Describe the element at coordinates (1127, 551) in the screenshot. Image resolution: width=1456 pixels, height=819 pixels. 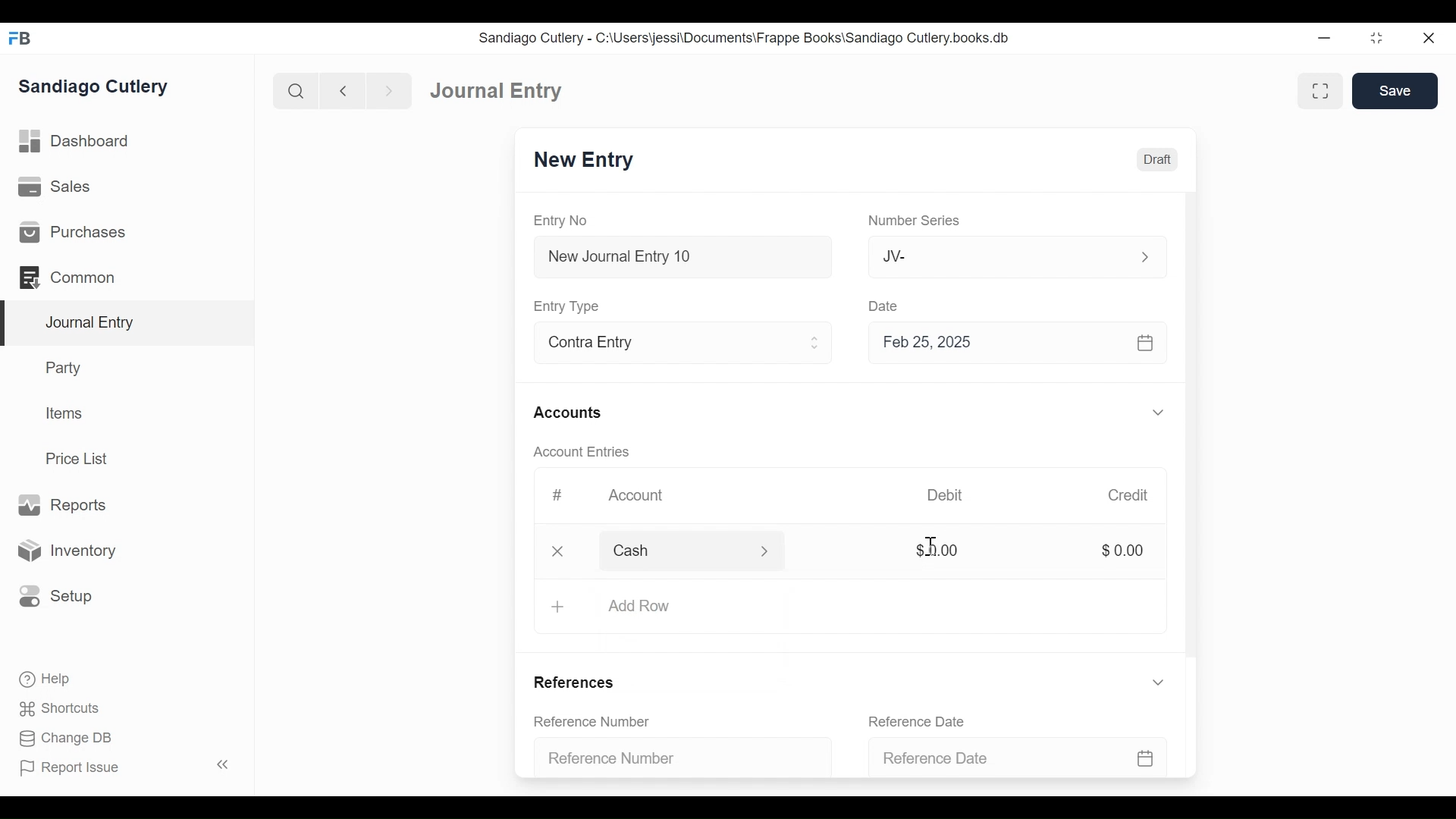
I see `$0.00` at that location.